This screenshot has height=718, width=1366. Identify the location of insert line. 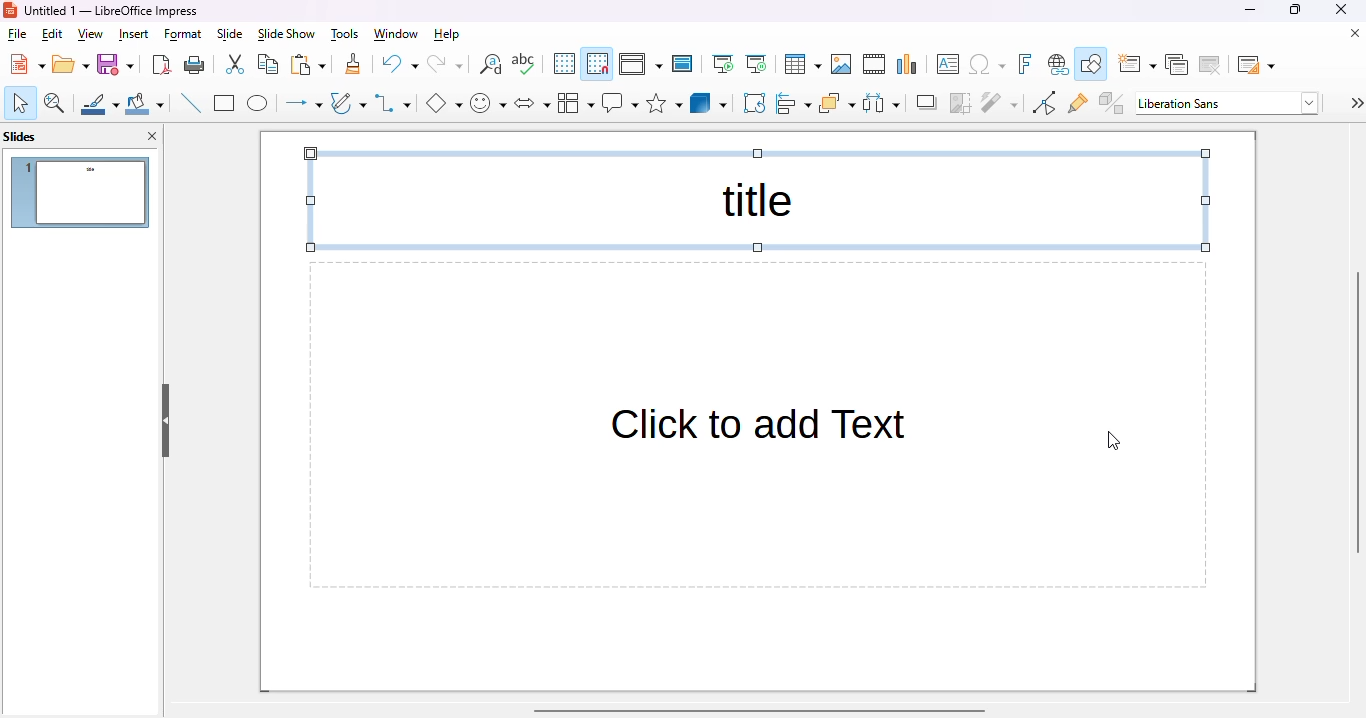
(190, 102).